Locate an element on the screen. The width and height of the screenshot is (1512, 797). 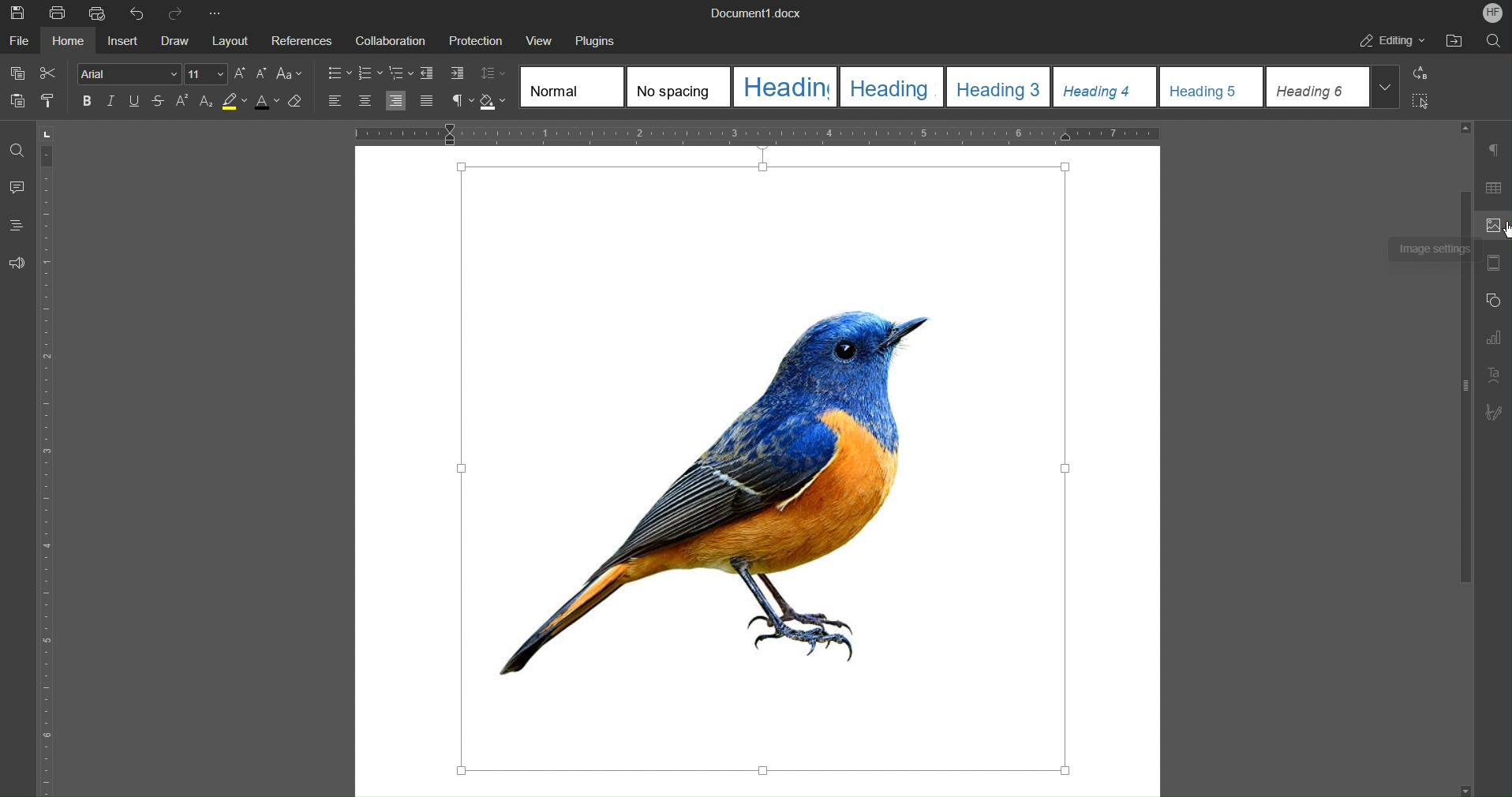
Text Color is located at coordinates (266, 103).